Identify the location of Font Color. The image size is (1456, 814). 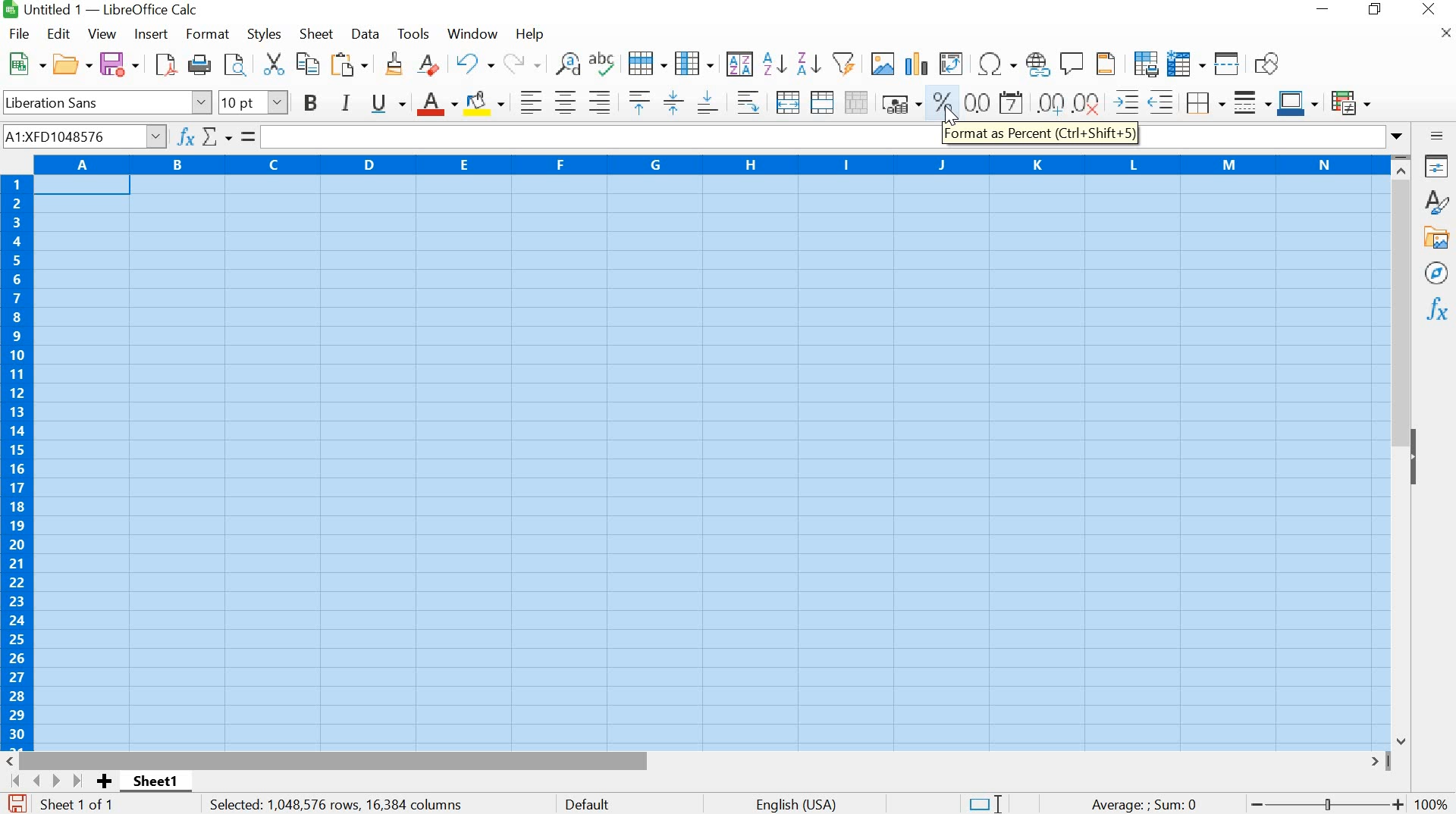
(437, 104).